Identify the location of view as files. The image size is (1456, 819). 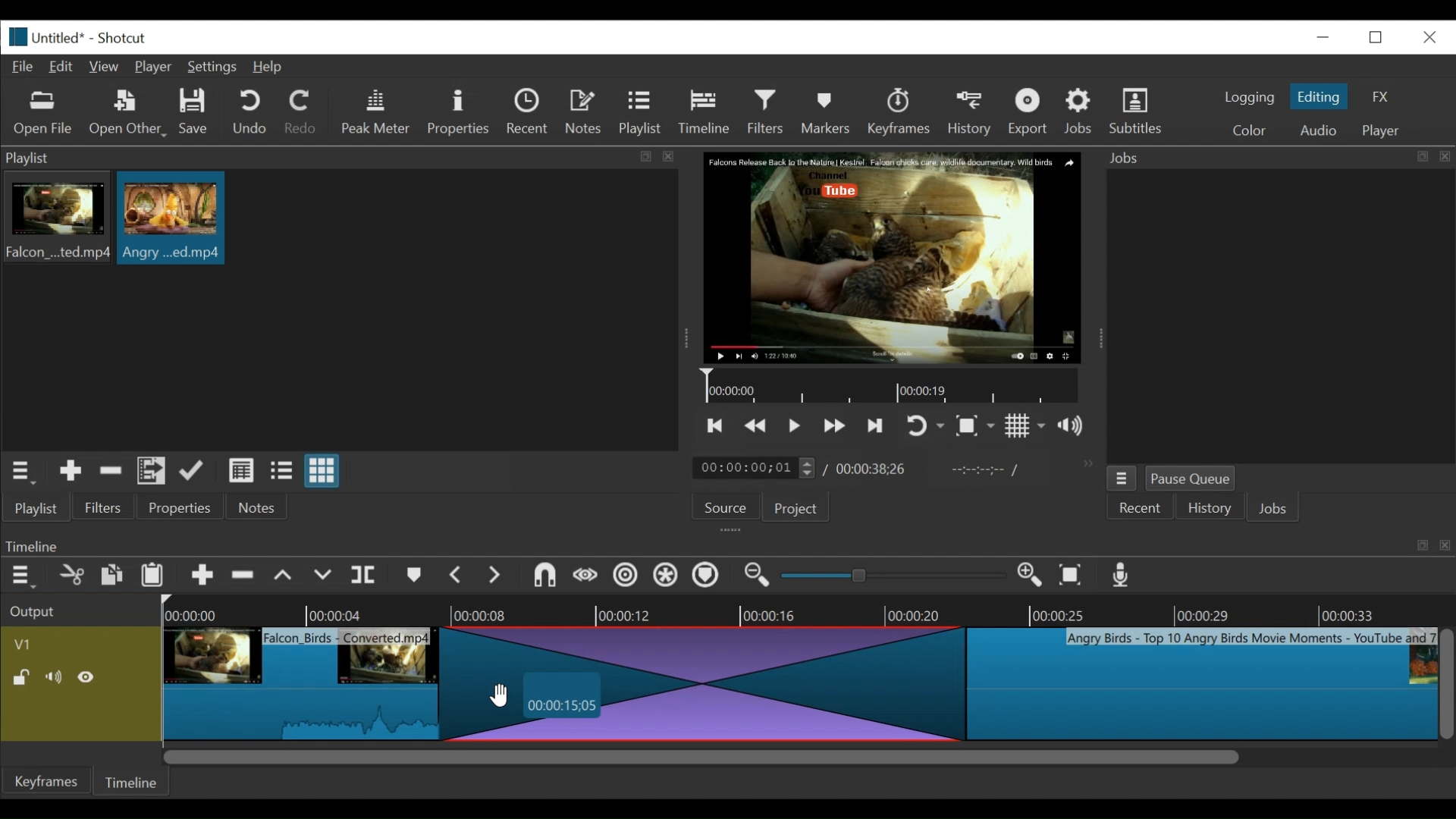
(283, 470).